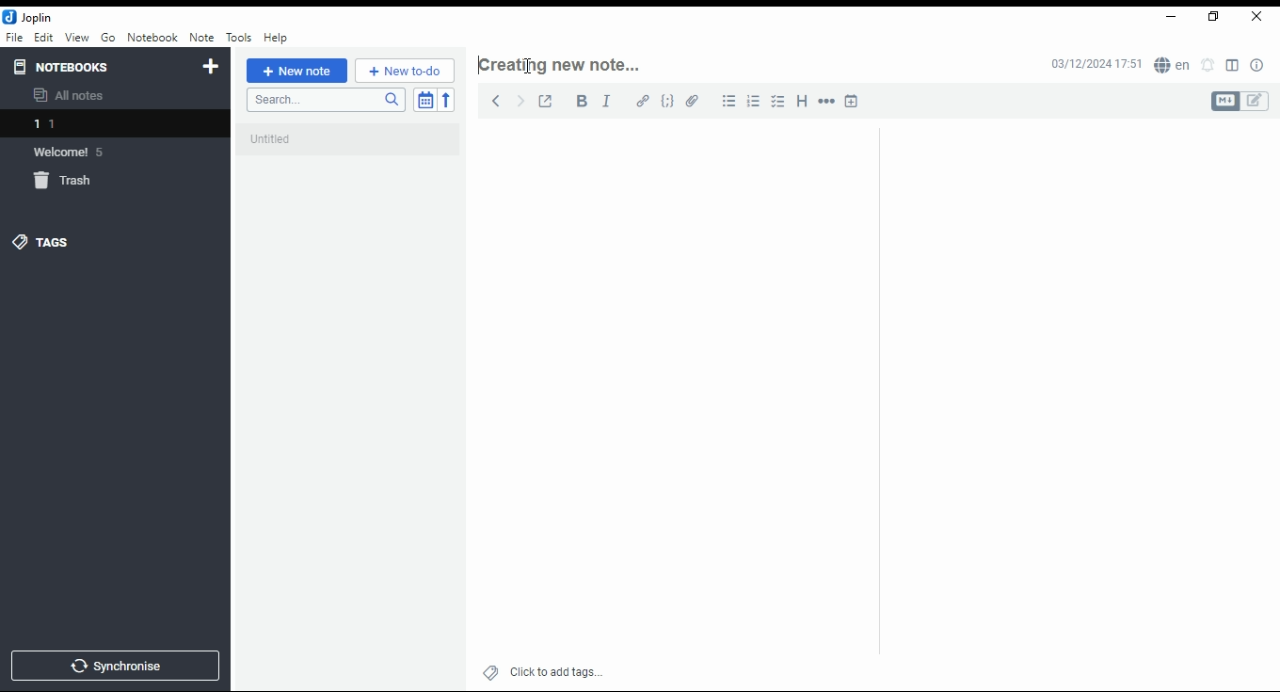 The height and width of the screenshot is (692, 1280). What do you see at coordinates (571, 60) in the screenshot?
I see `creating new note` at bounding box center [571, 60].